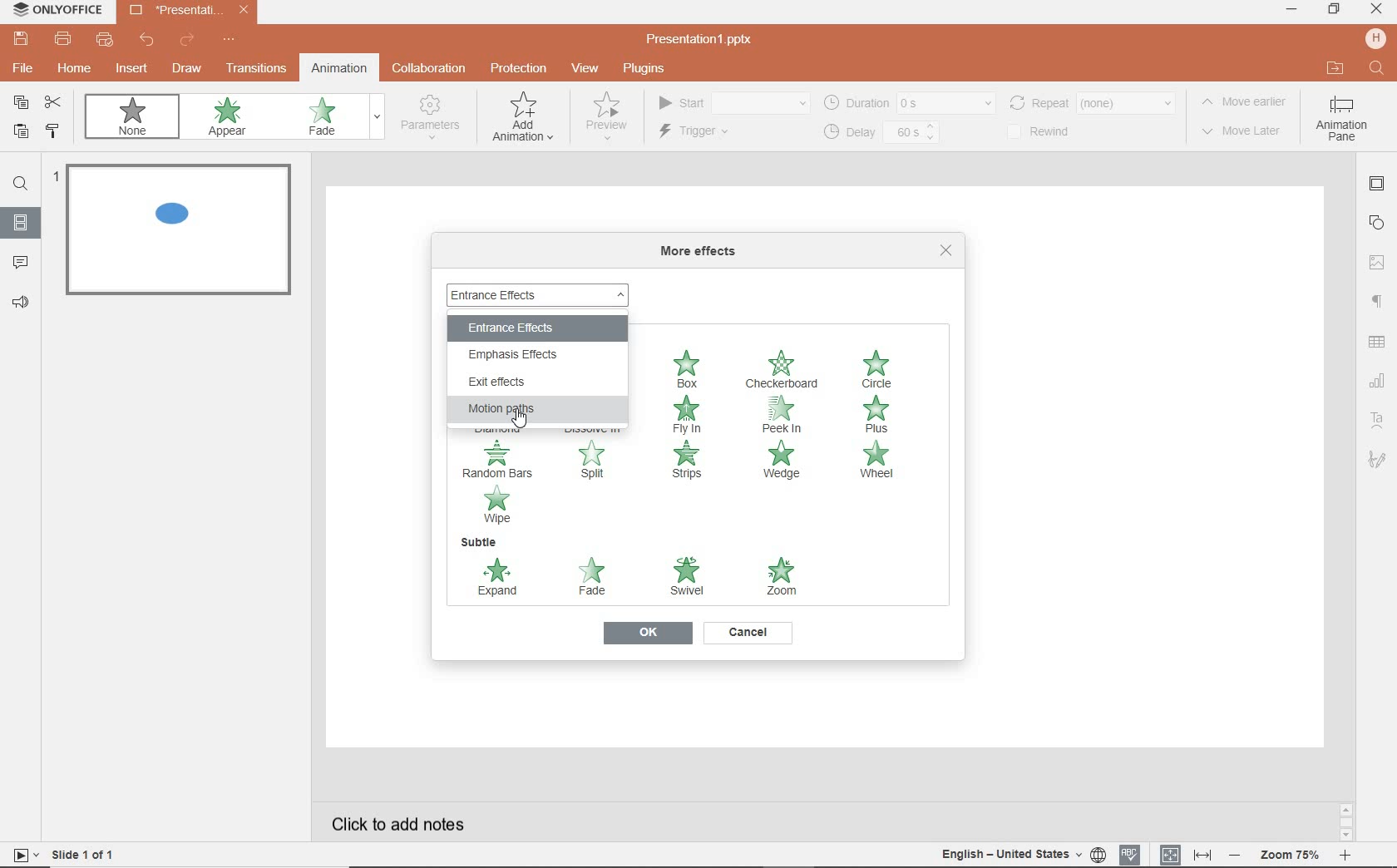 The image size is (1397, 868). Describe the element at coordinates (1248, 104) in the screenshot. I see `move earlier` at that location.